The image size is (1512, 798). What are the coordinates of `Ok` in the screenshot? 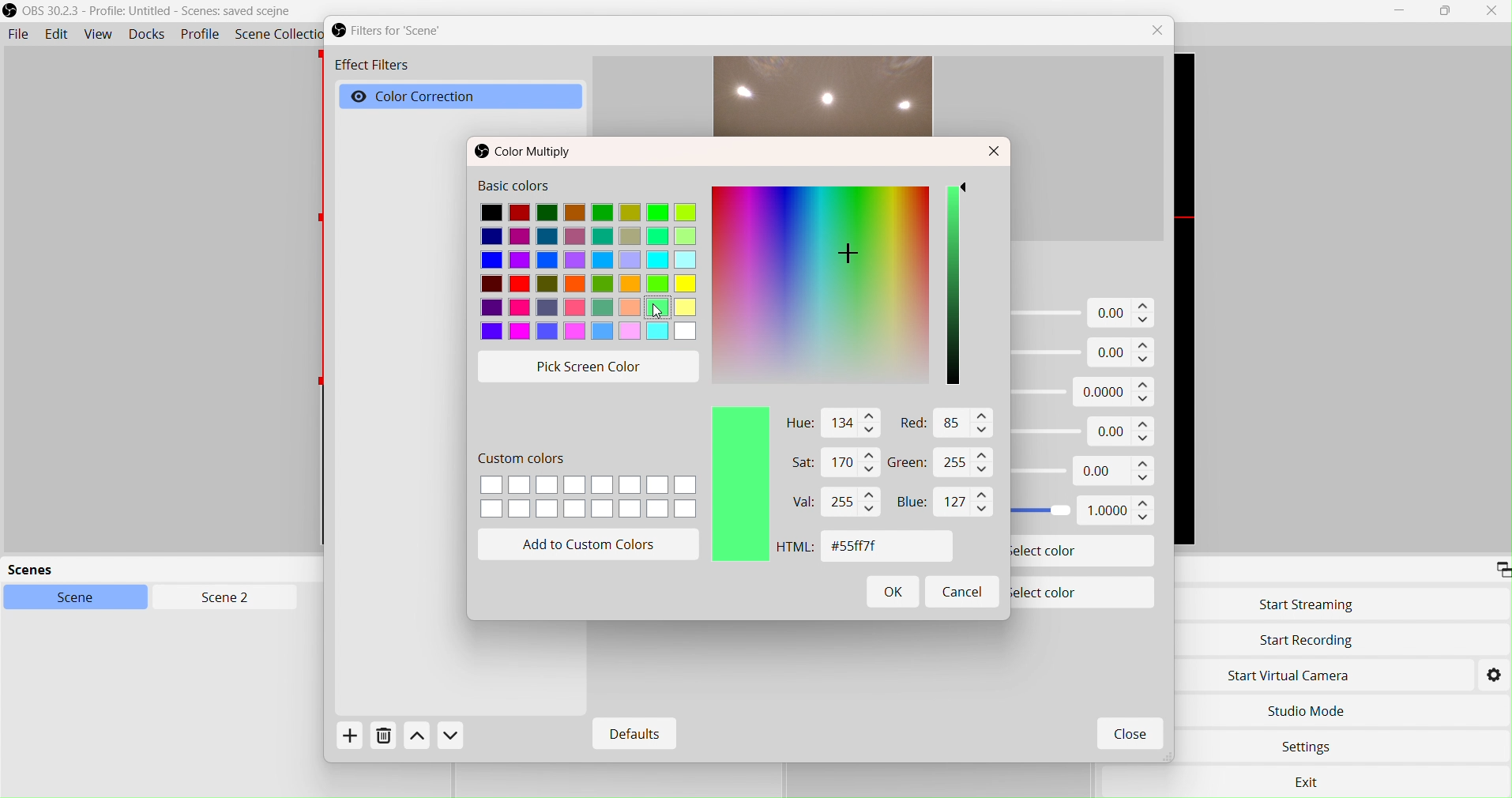 It's located at (894, 595).